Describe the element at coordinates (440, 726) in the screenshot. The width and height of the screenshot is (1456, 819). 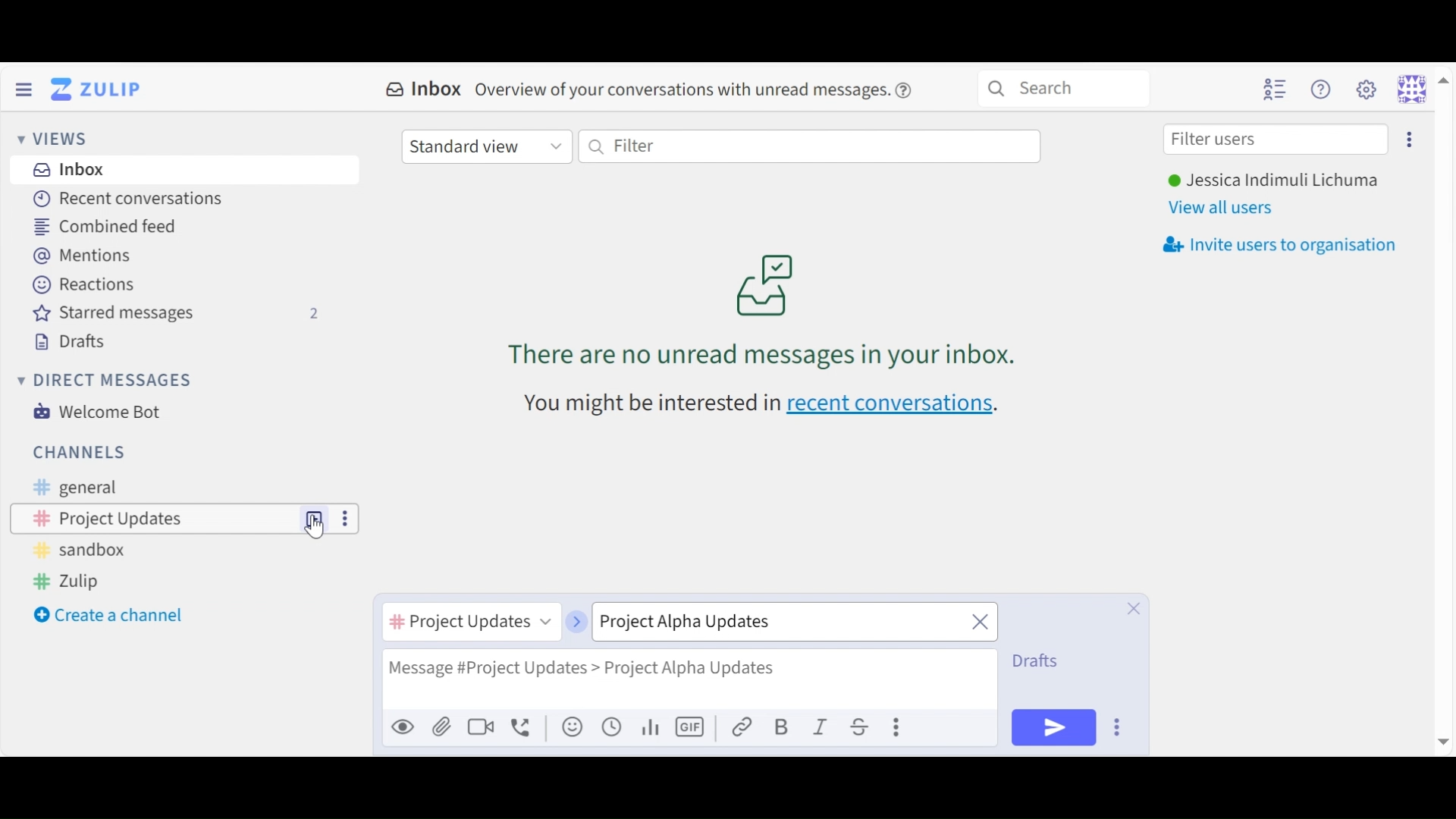
I see `Upload File` at that location.